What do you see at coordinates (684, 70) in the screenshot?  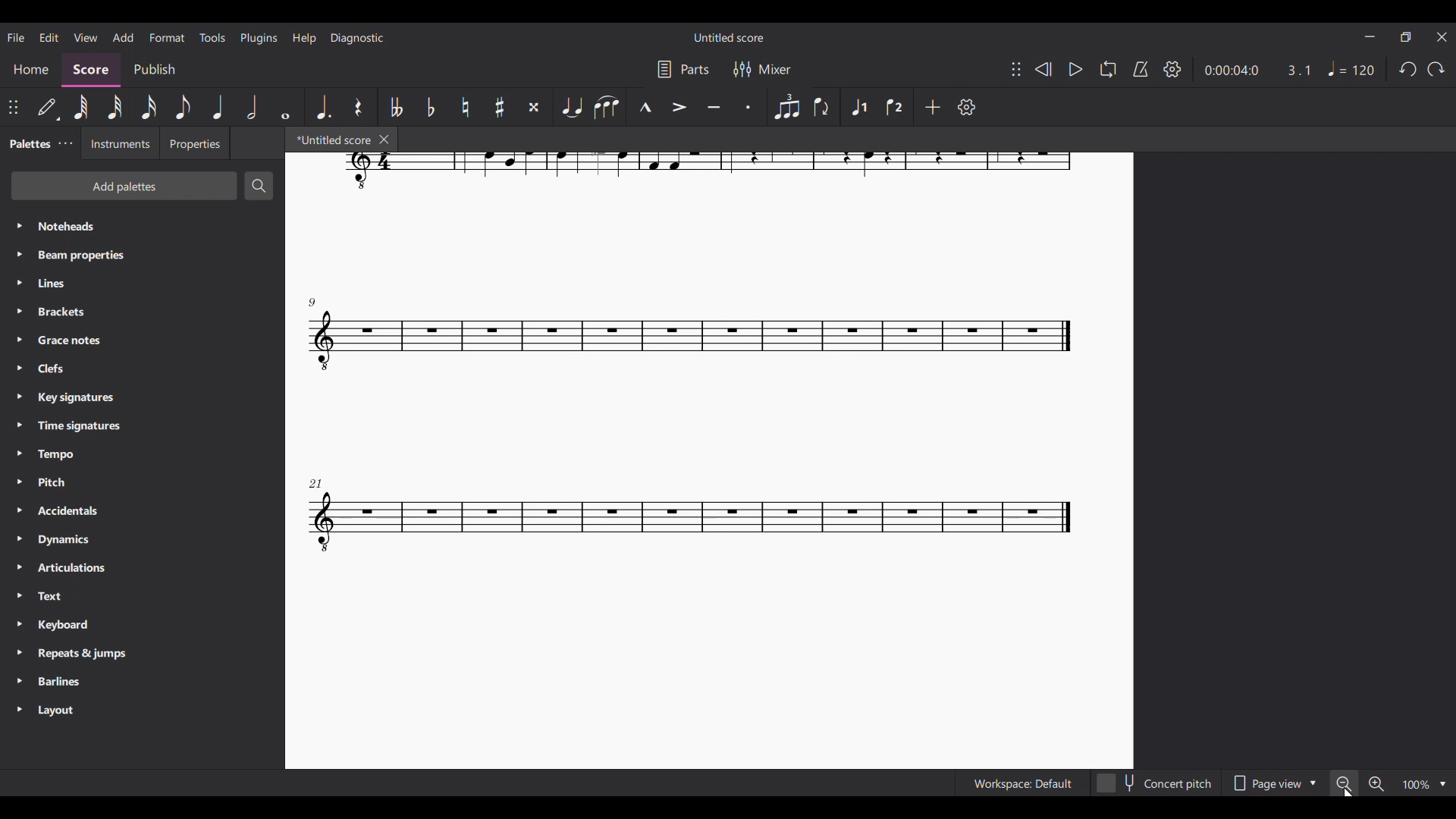 I see `Parts settings` at bounding box center [684, 70].